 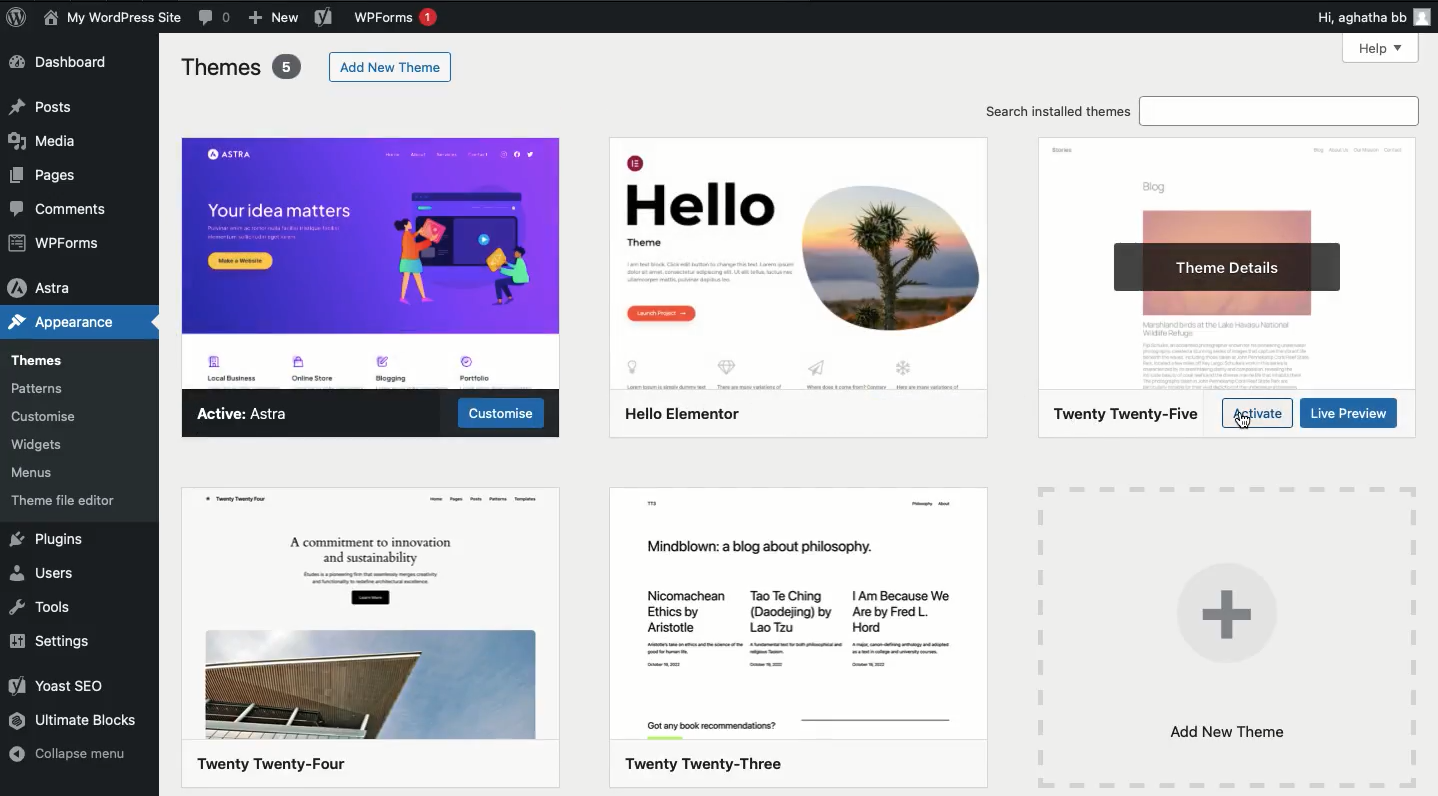 What do you see at coordinates (795, 288) in the screenshot?
I see `Theme` at bounding box center [795, 288].